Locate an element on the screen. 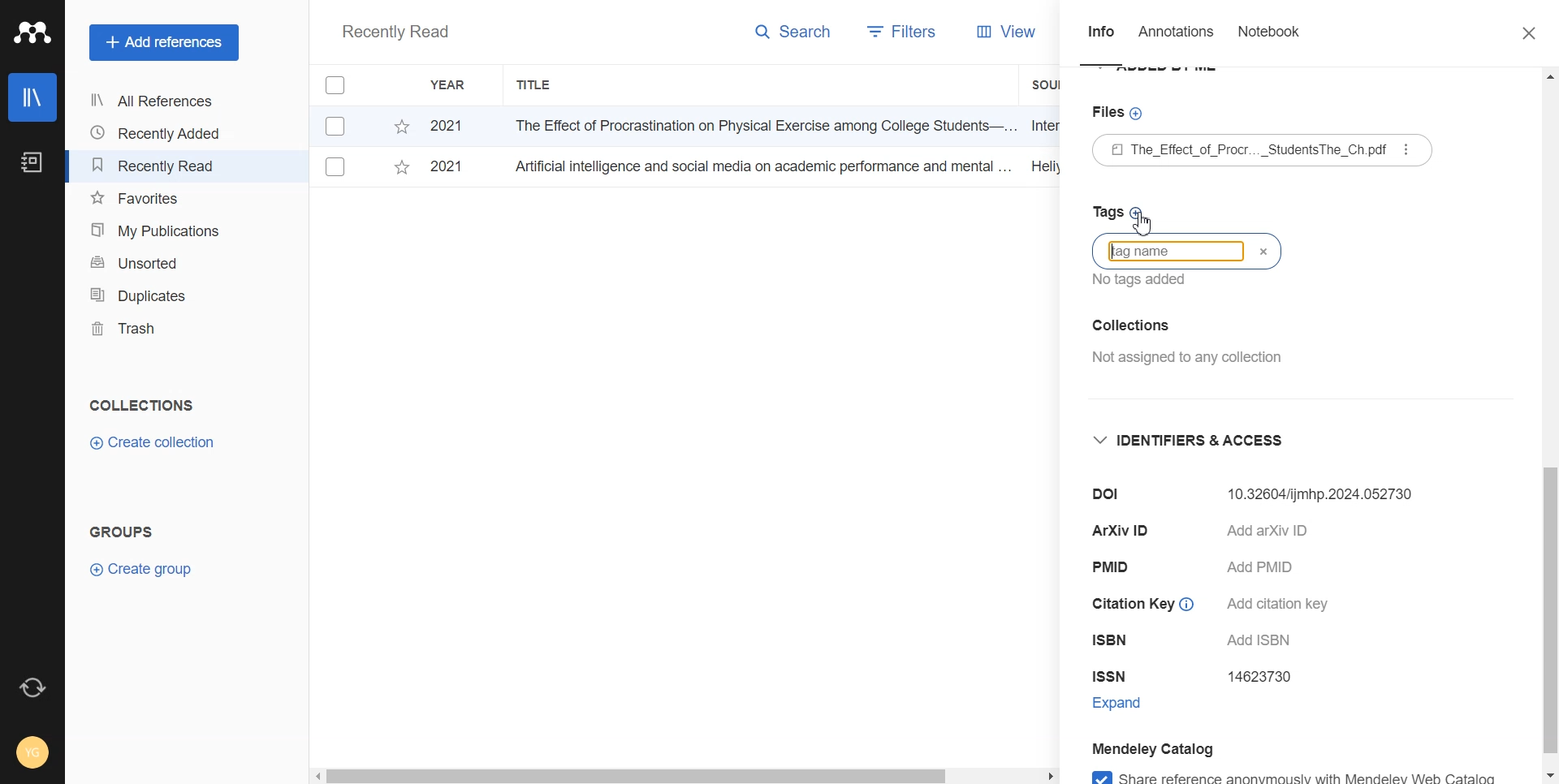 The image size is (1559, 784). Identifier & Access is located at coordinates (1187, 442).